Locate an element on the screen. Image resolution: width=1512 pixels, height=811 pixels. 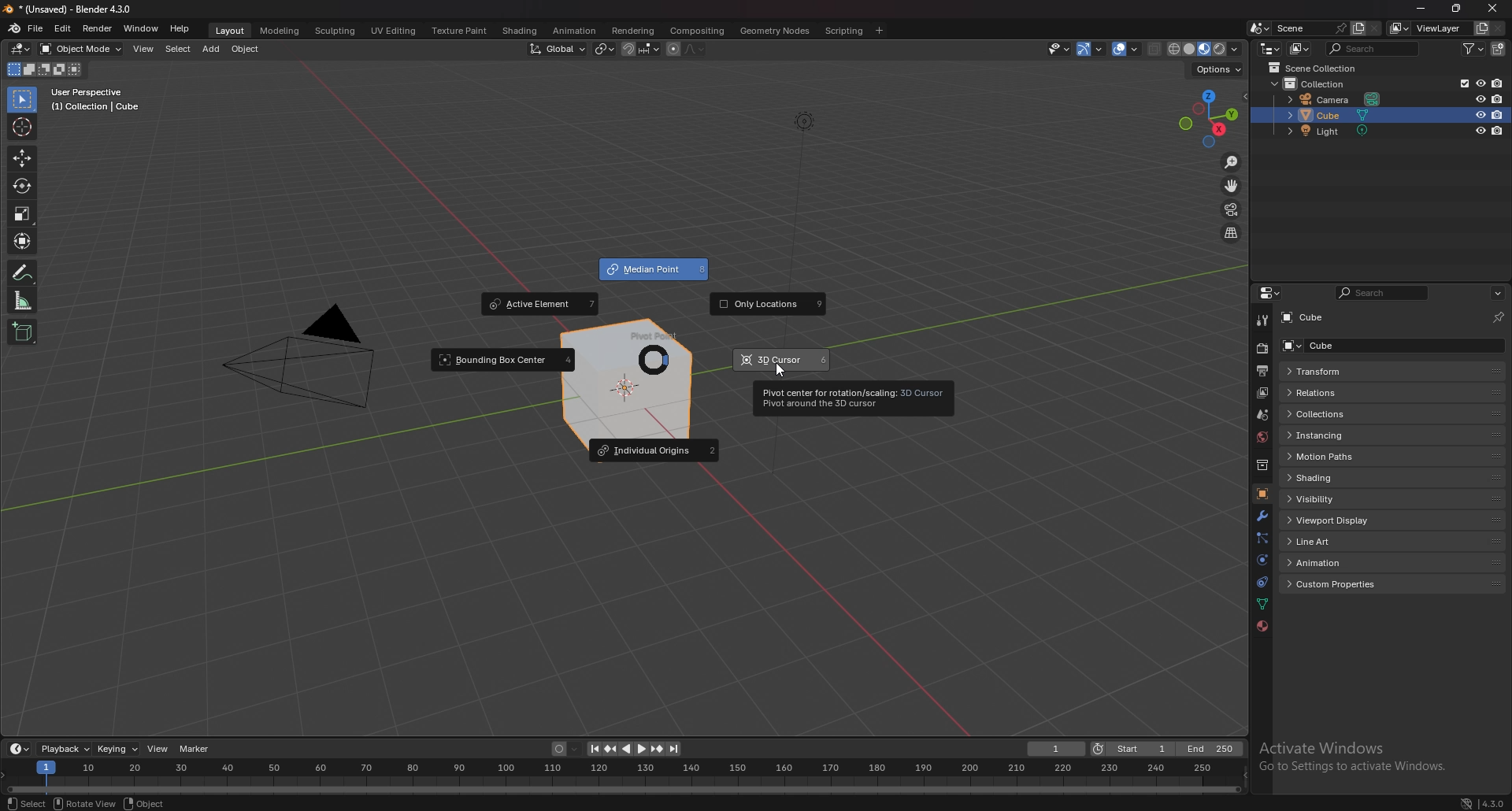
snapping is located at coordinates (641, 49).